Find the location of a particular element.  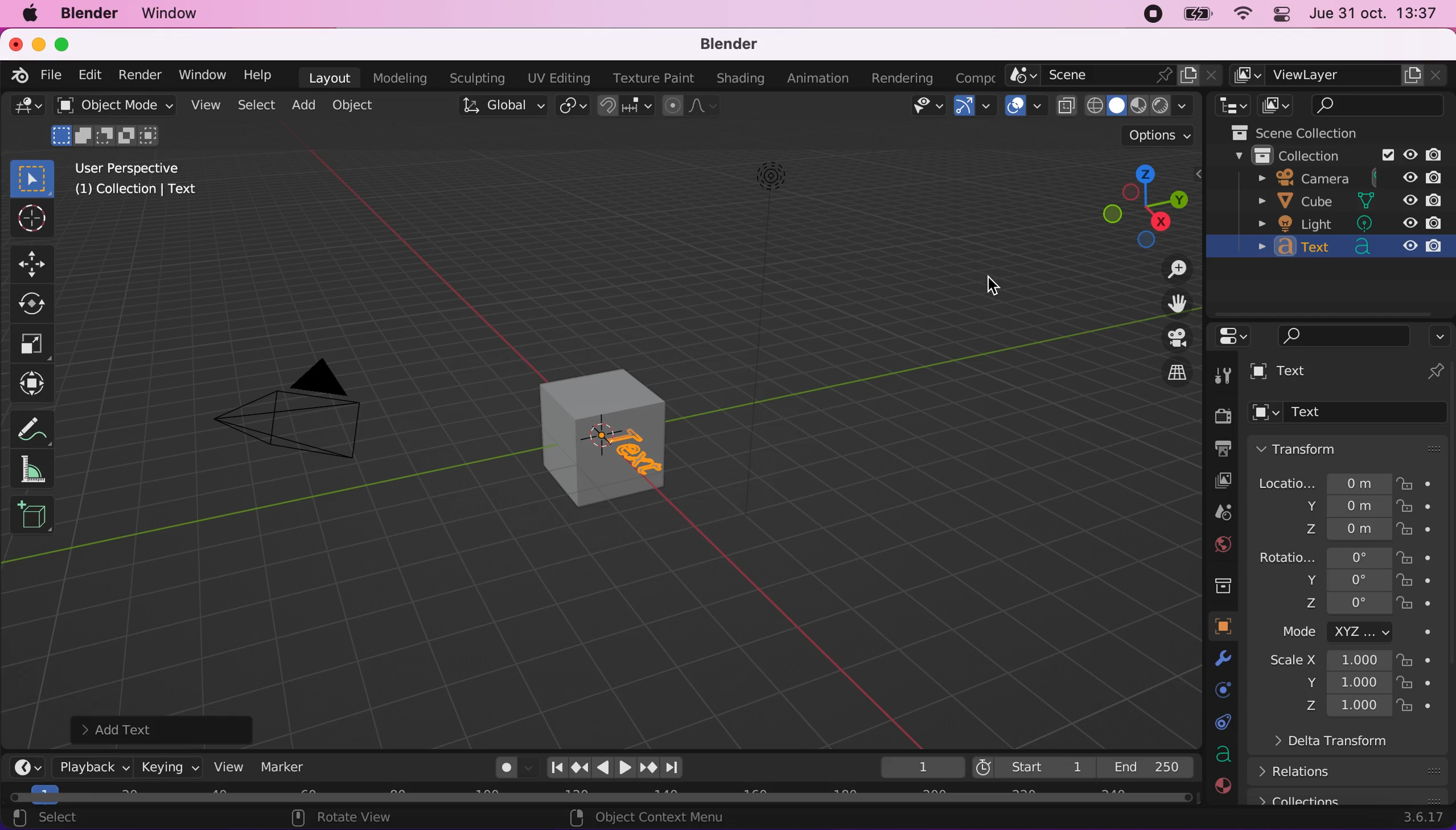

current frame is located at coordinates (920, 767).